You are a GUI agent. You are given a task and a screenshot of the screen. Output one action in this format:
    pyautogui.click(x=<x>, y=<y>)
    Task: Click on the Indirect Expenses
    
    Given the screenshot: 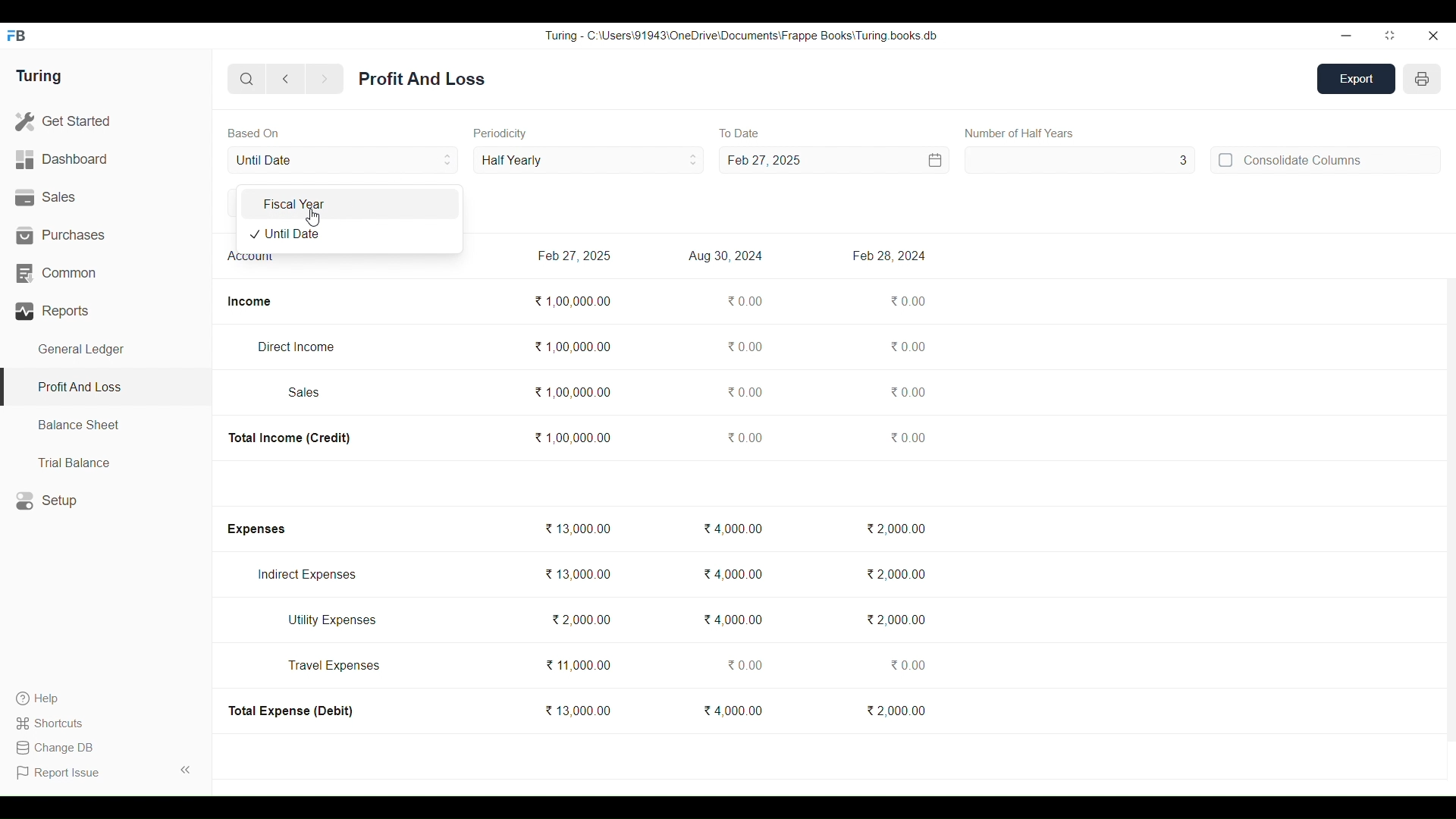 What is the action you would take?
    pyautogui.click(x=307, y=575)
    